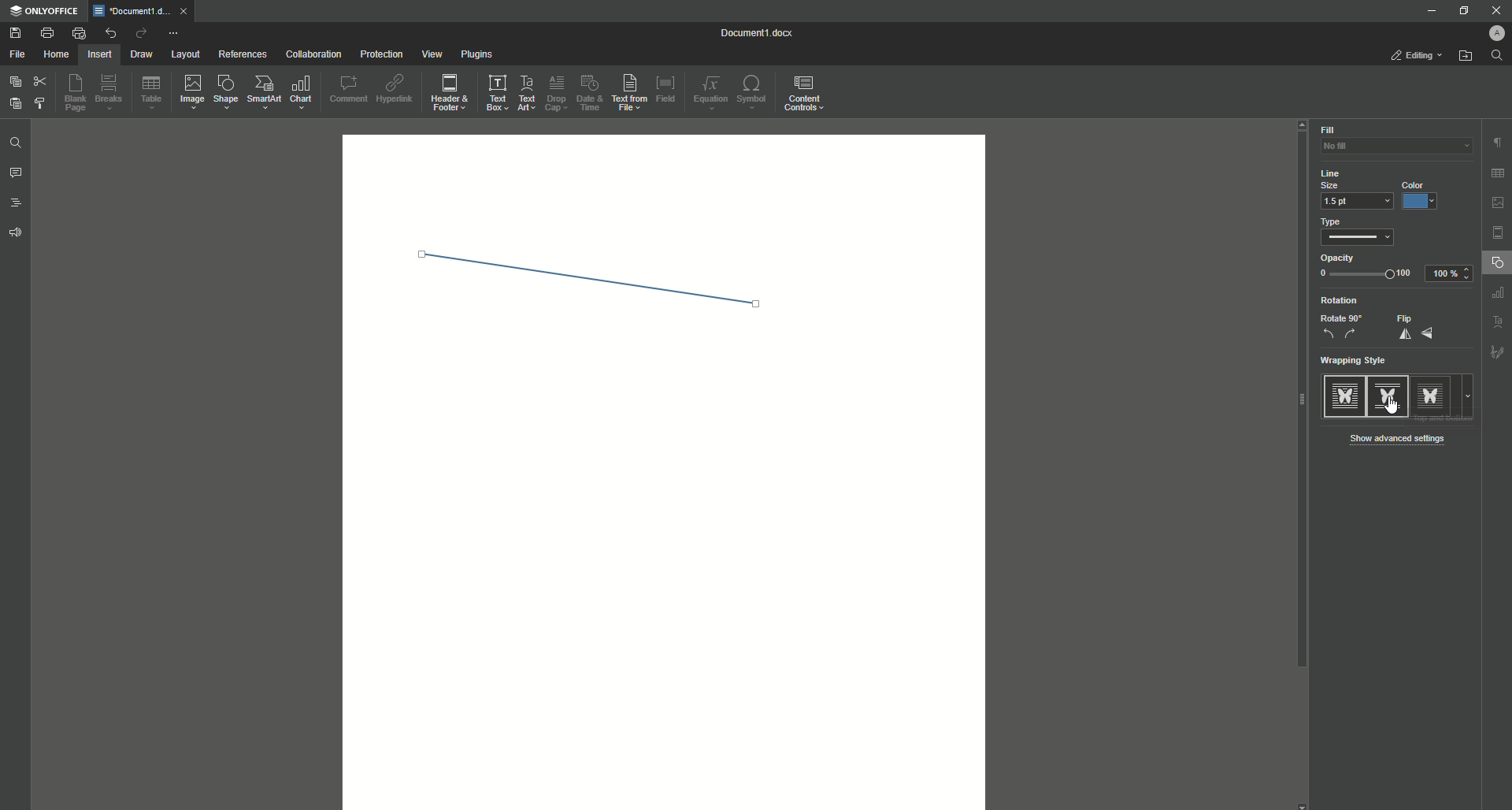 Image resolution: width=1512 pixels, height=810 pixels. What do you see at coordinates (1403, 438) in the screenshot?
I see `Show Advanced Settings` at bounding box center [1403, 438].